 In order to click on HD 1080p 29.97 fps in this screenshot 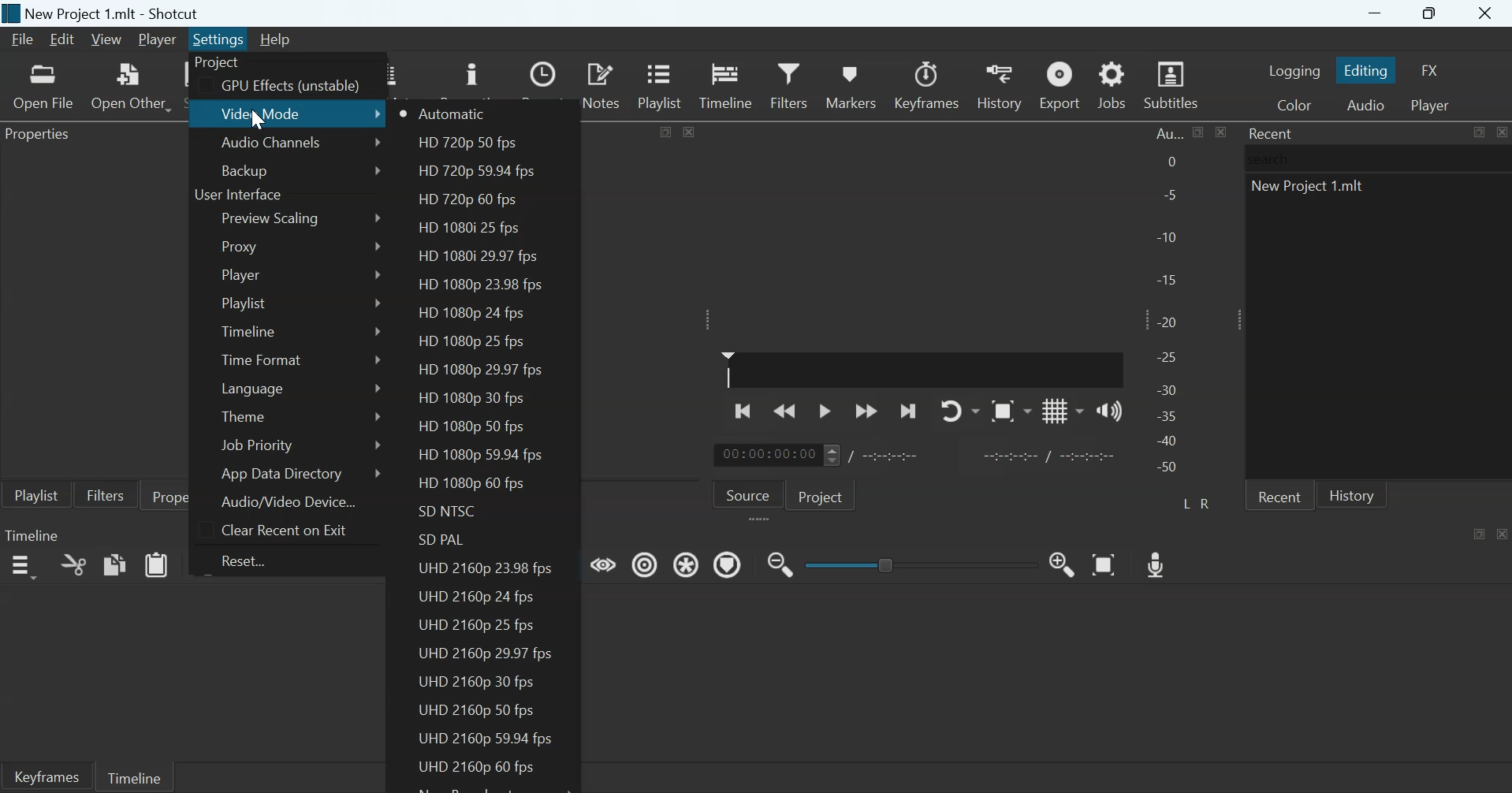, I will do `click(485, 368)`.